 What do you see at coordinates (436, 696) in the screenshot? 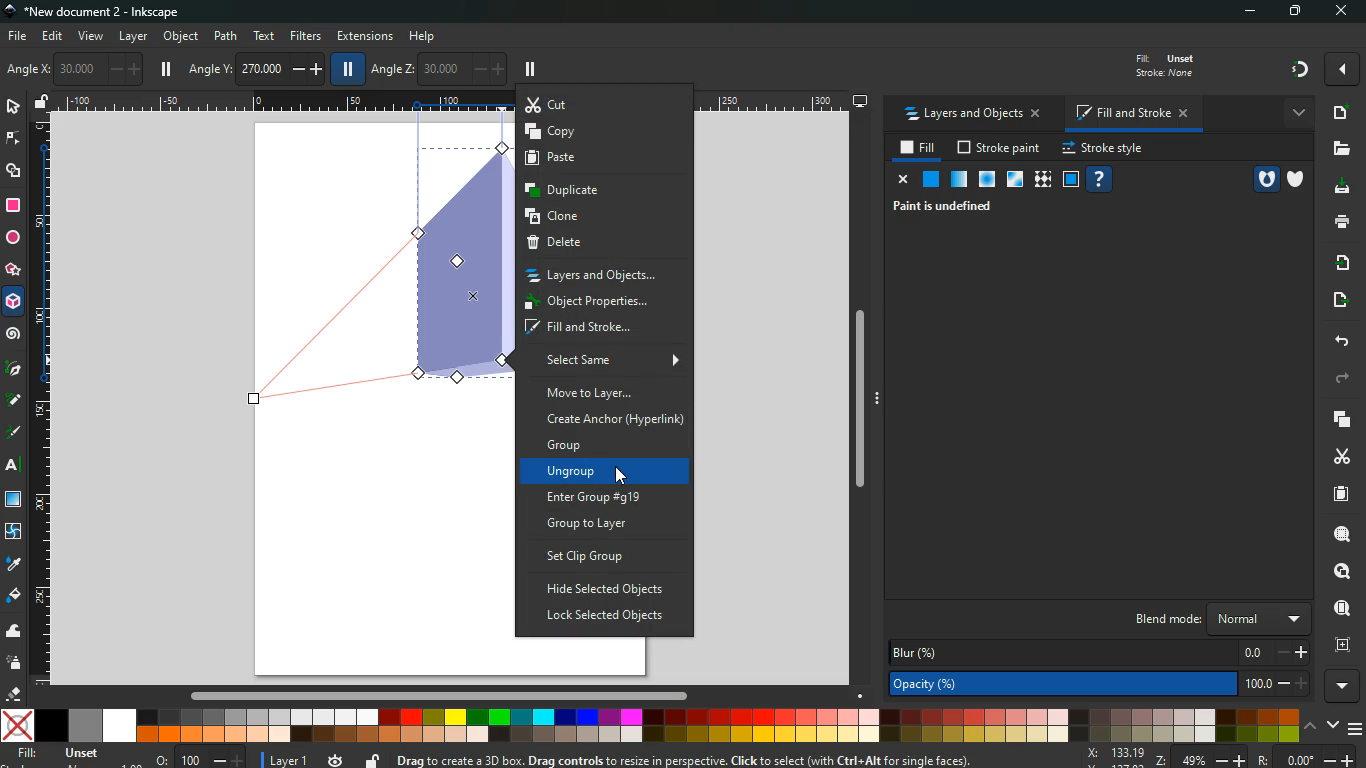
I see `Scroll bar` at bounding box center [436, 696].